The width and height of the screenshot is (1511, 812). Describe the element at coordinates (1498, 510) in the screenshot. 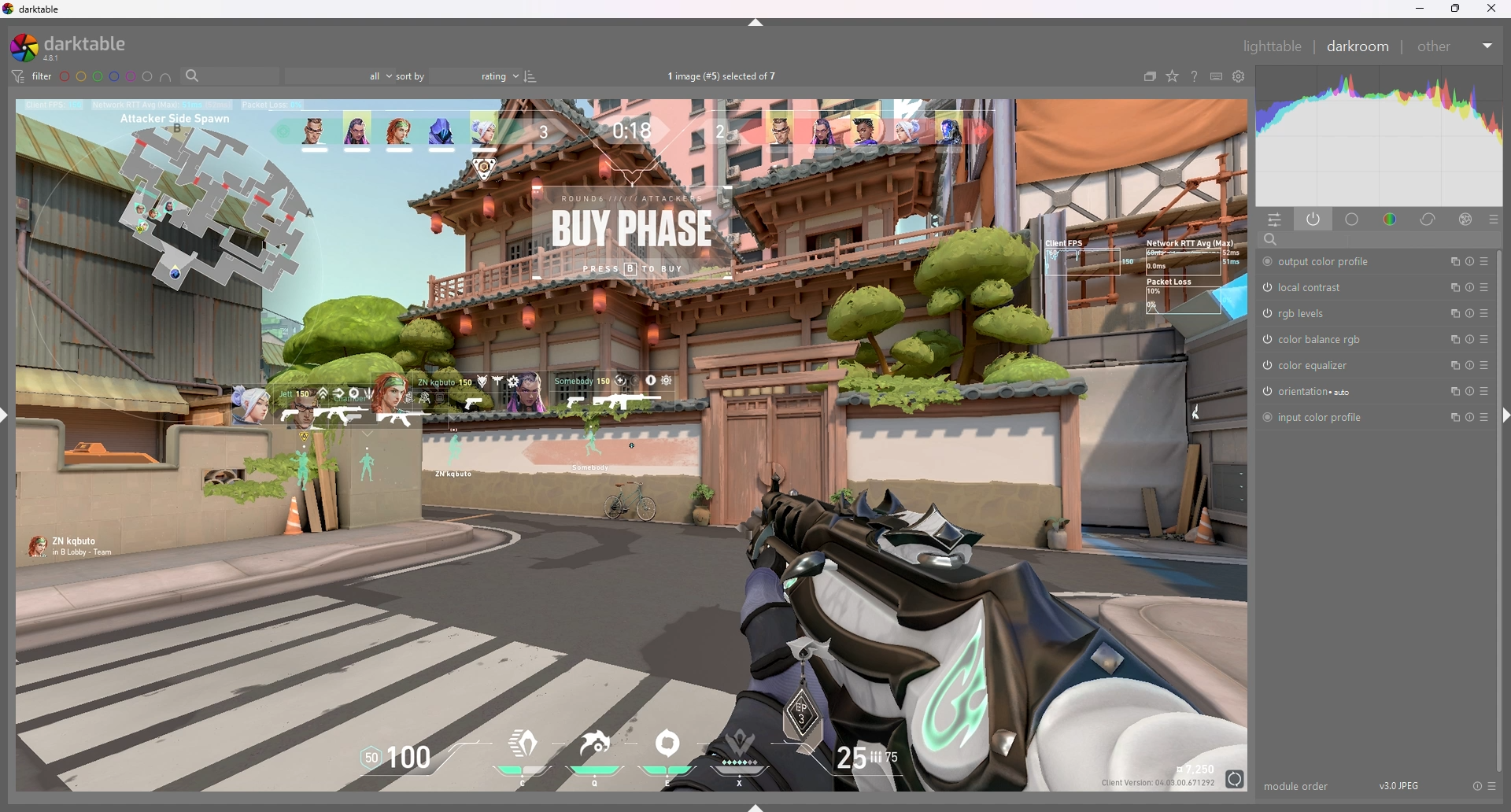

I see `scroll bar` at that location.